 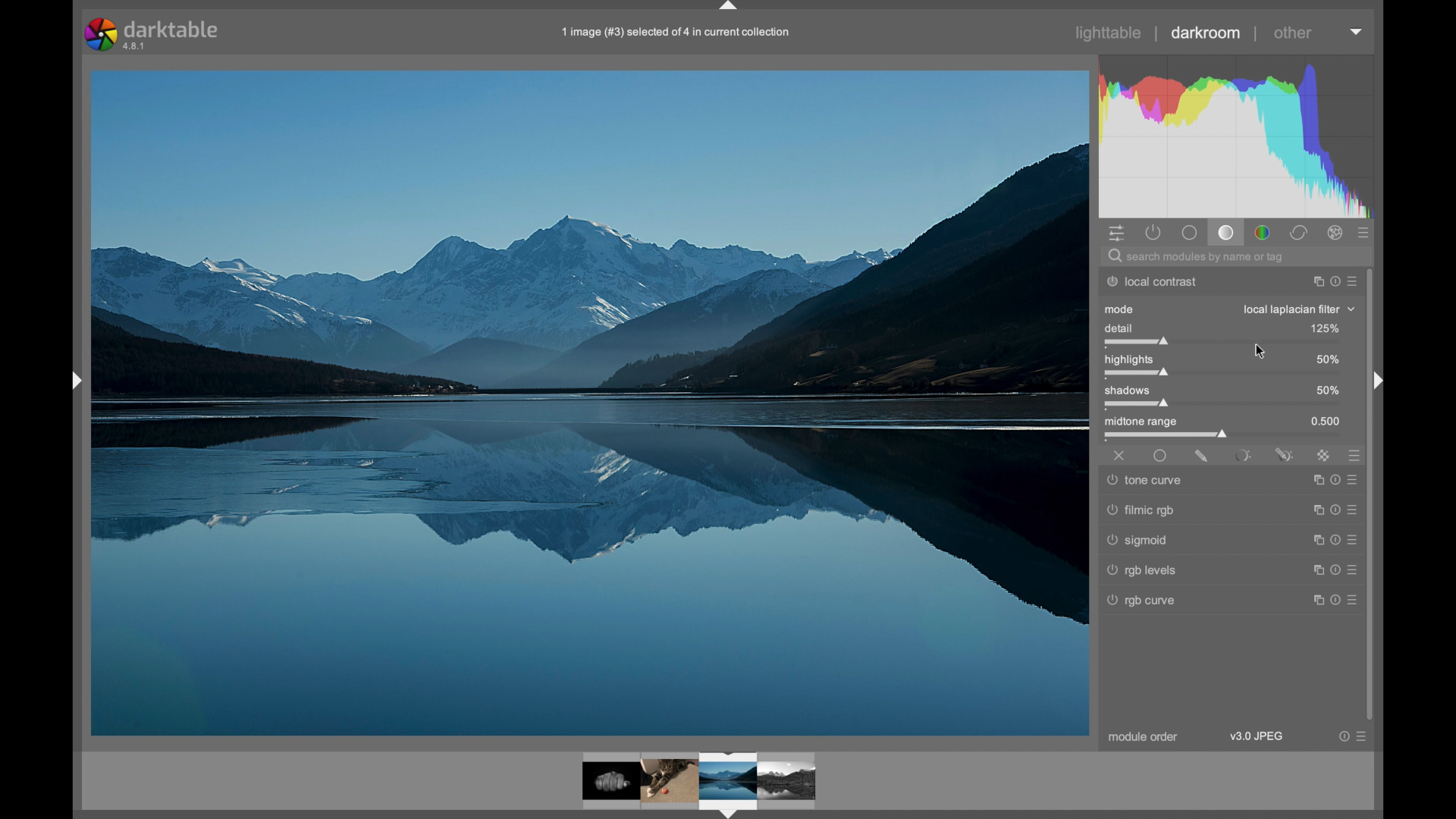 I want to click on more options, so click(x=1336, y=599).